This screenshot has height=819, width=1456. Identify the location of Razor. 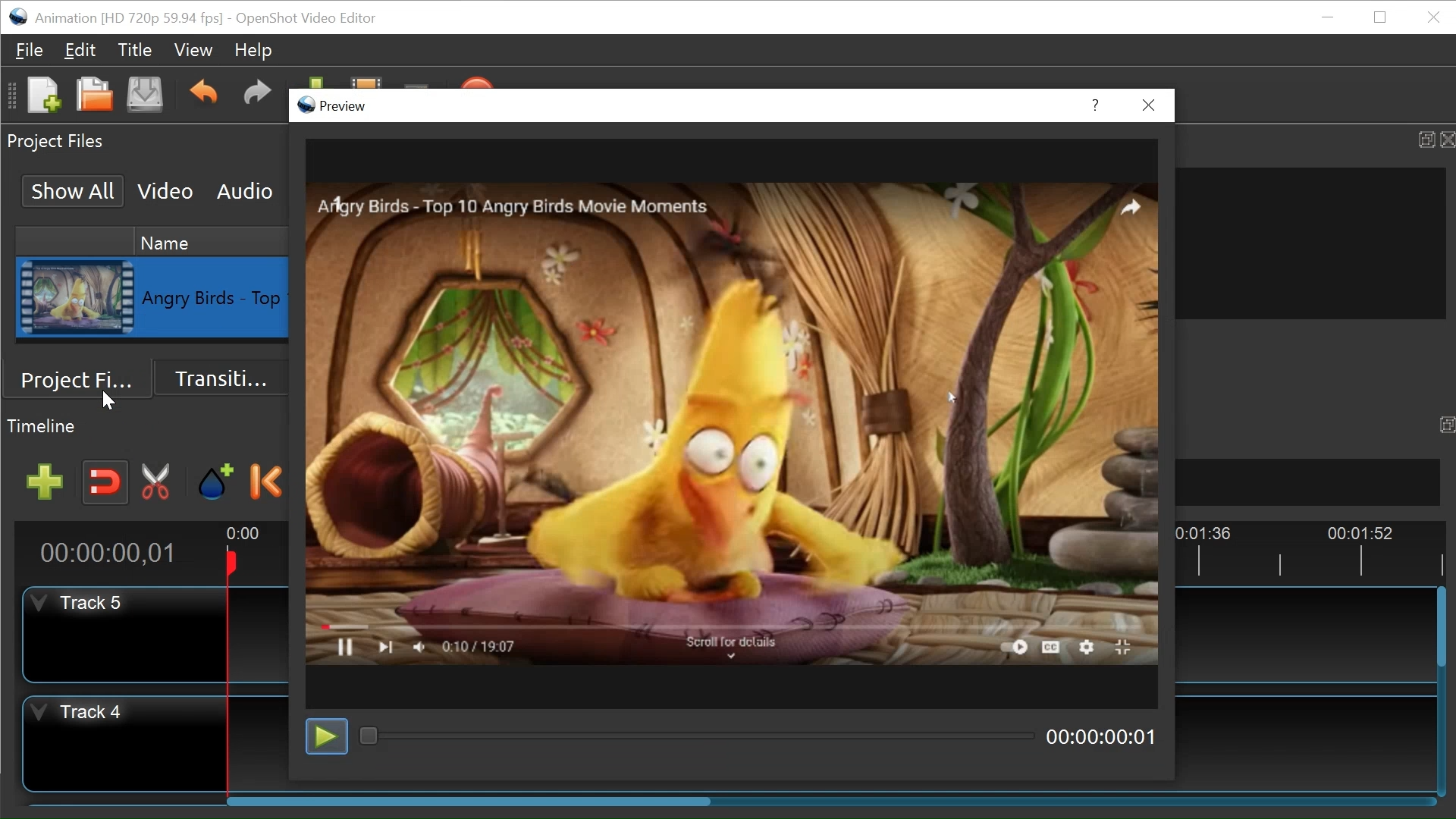
(157, 483).